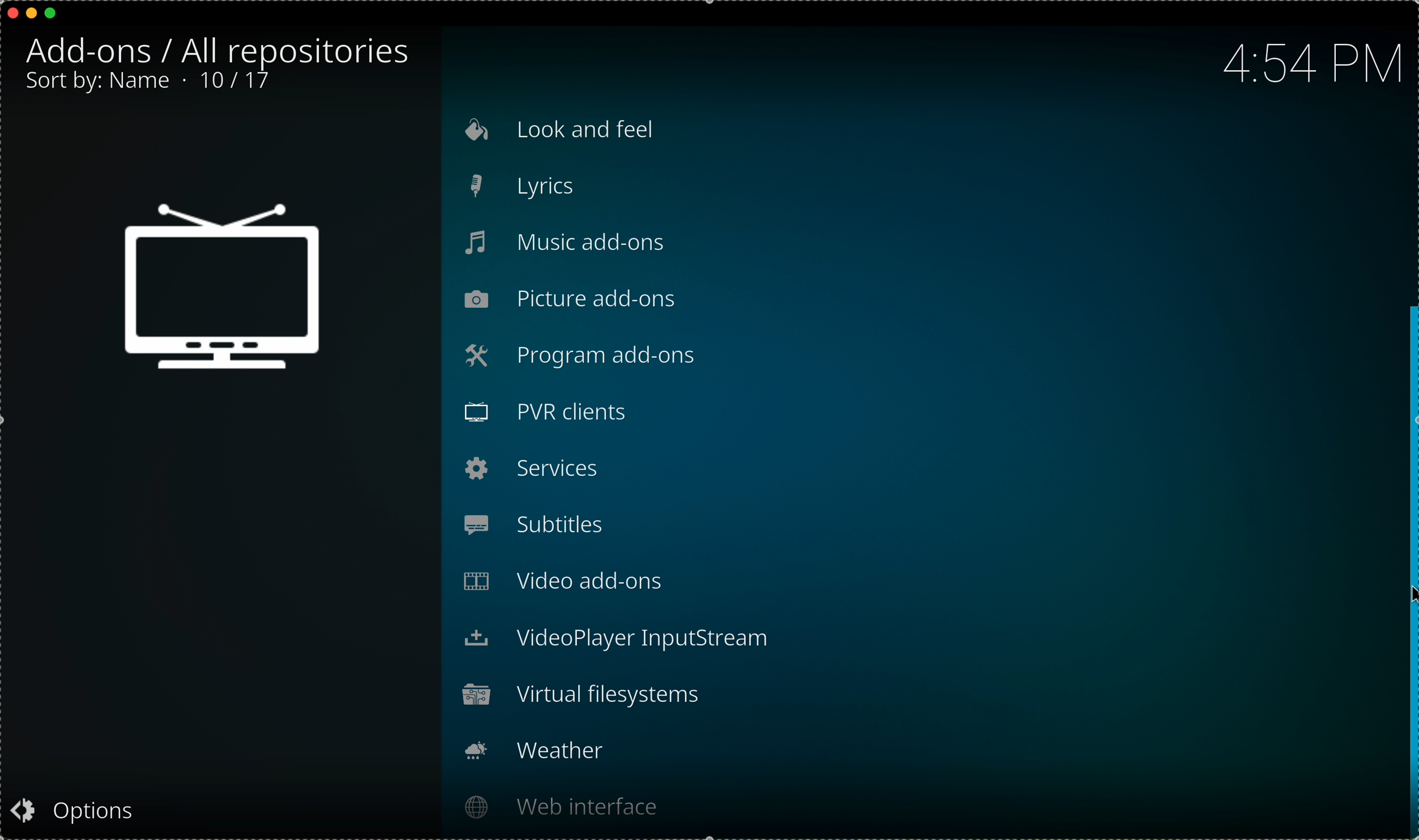 The width and height of the screenshot is (1419, 840). I want to click on drag to, so click(1410, 568).